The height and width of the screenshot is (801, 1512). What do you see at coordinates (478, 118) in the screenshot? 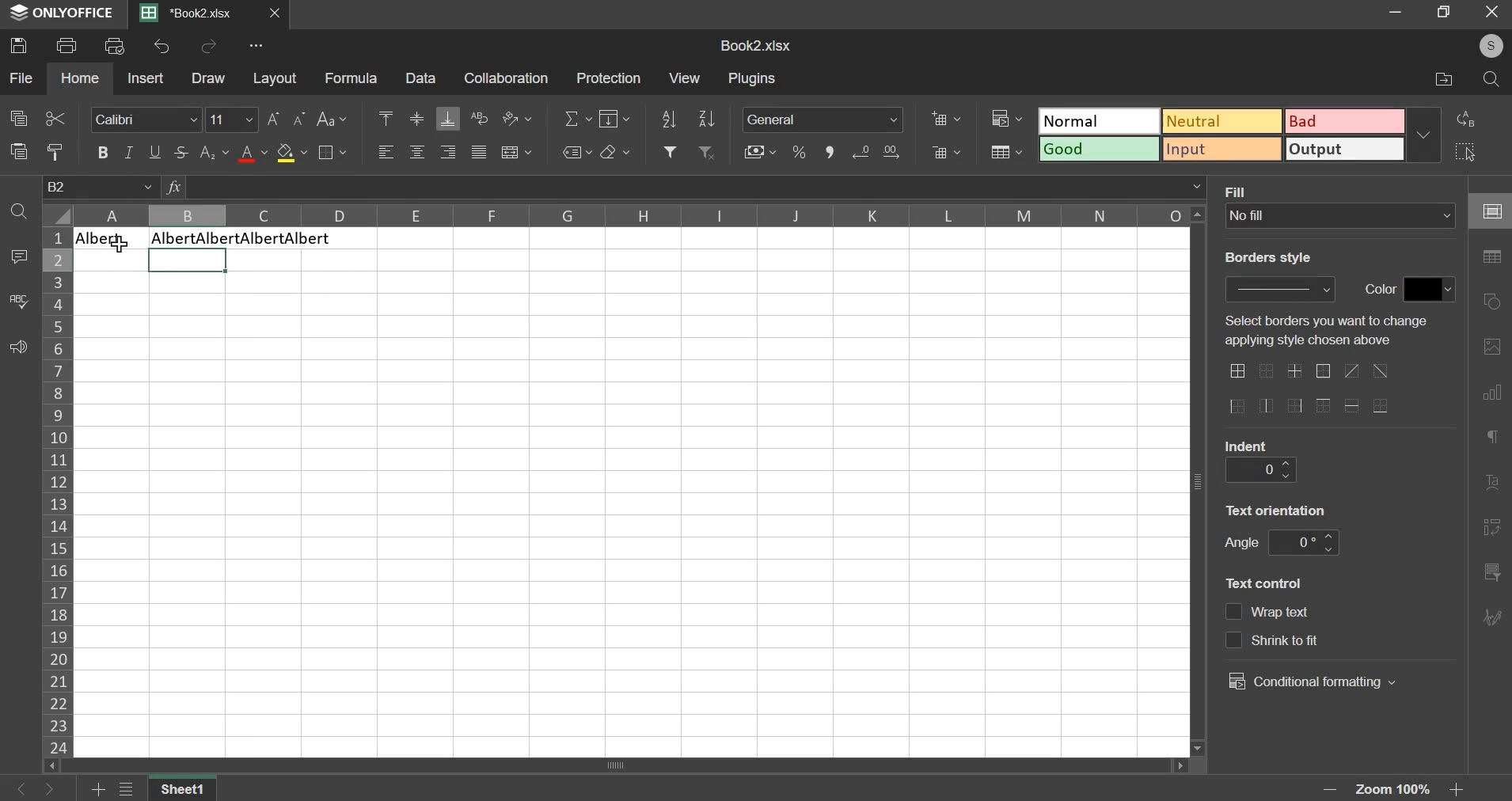
I see `wrap text` at bounding box center [478, 118].